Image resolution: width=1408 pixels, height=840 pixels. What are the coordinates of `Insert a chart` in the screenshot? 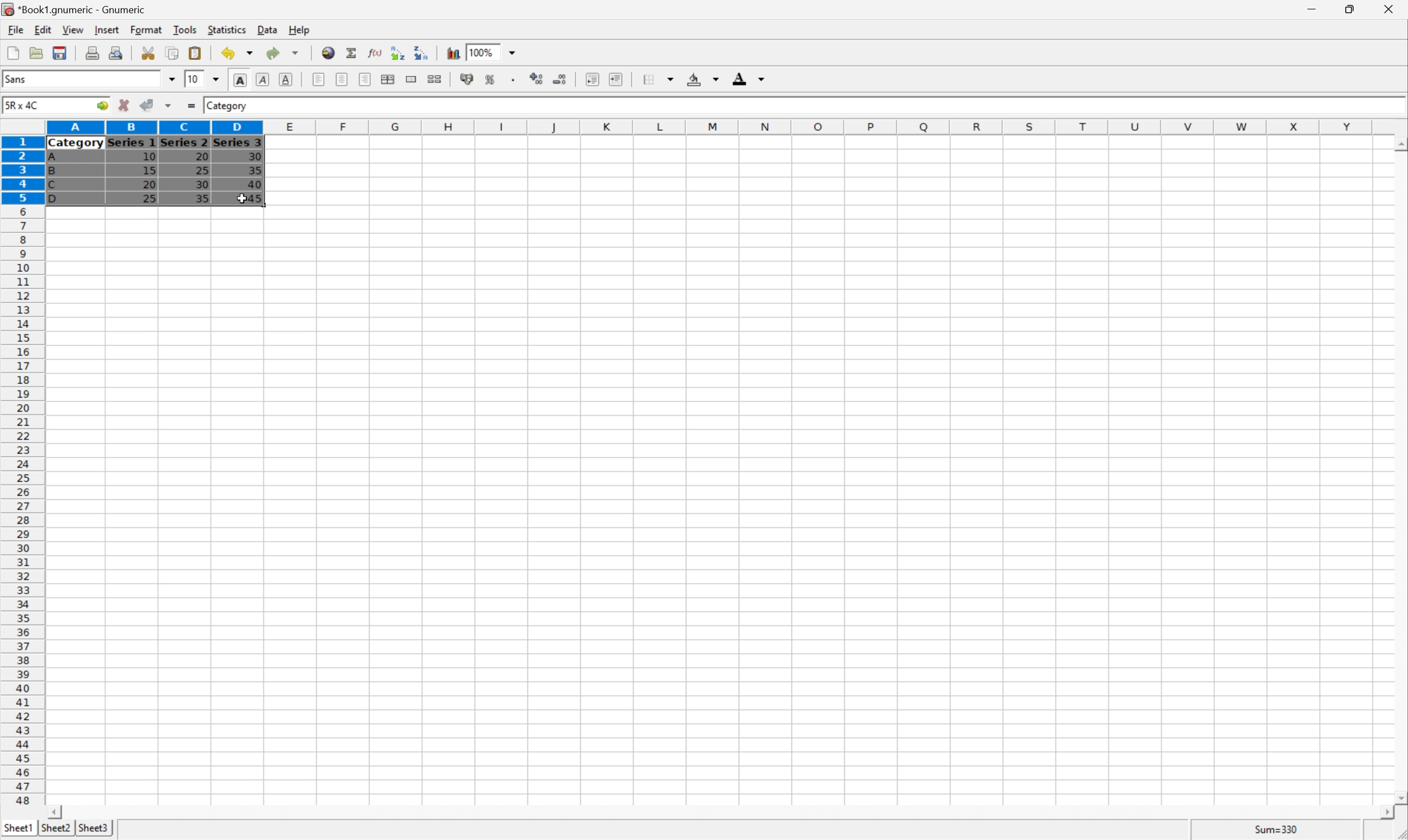 It's located at (452, 53).